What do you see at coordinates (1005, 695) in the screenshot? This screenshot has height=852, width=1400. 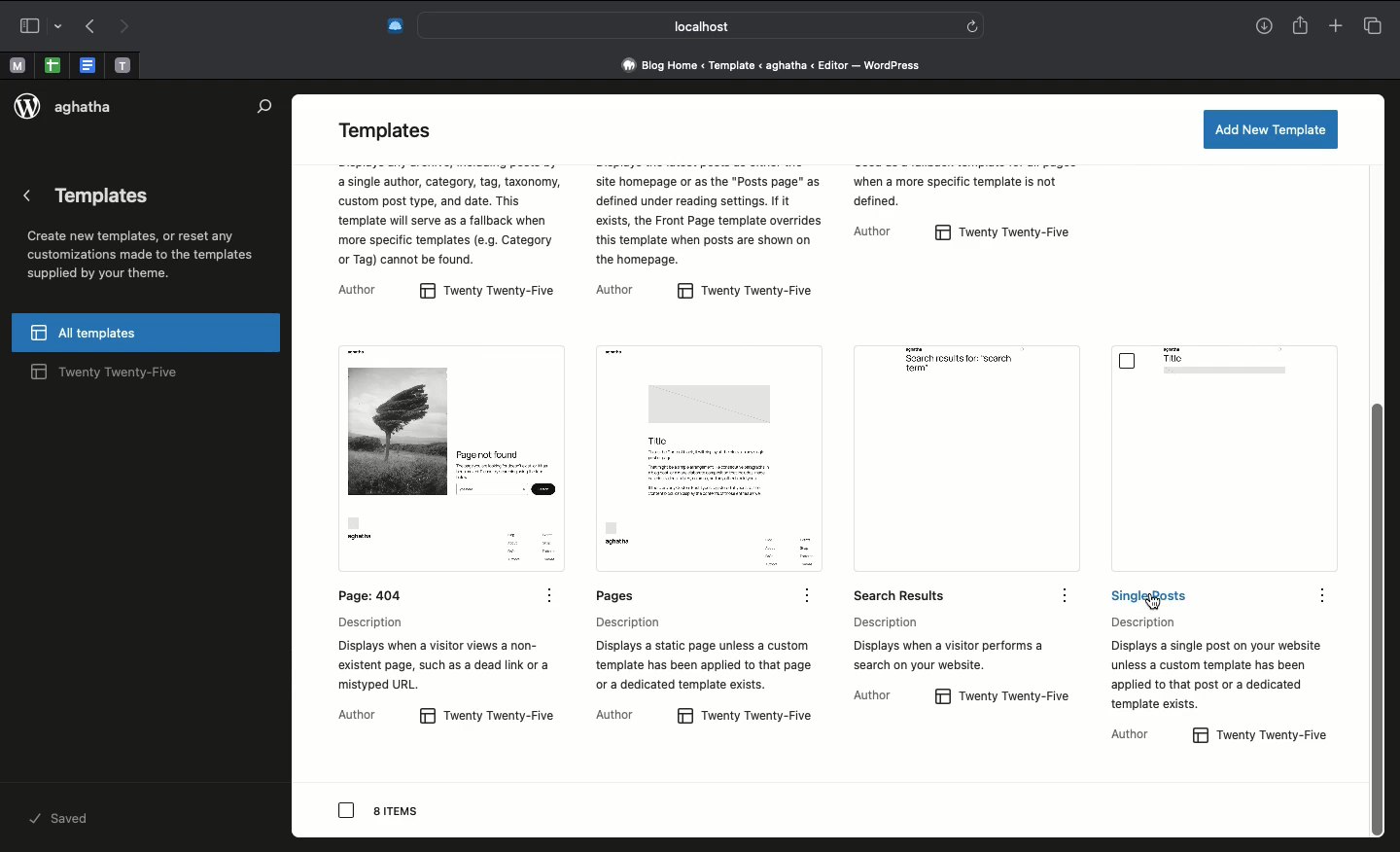 I see `twenty twenty-five` at bounding box center [1005, 695].